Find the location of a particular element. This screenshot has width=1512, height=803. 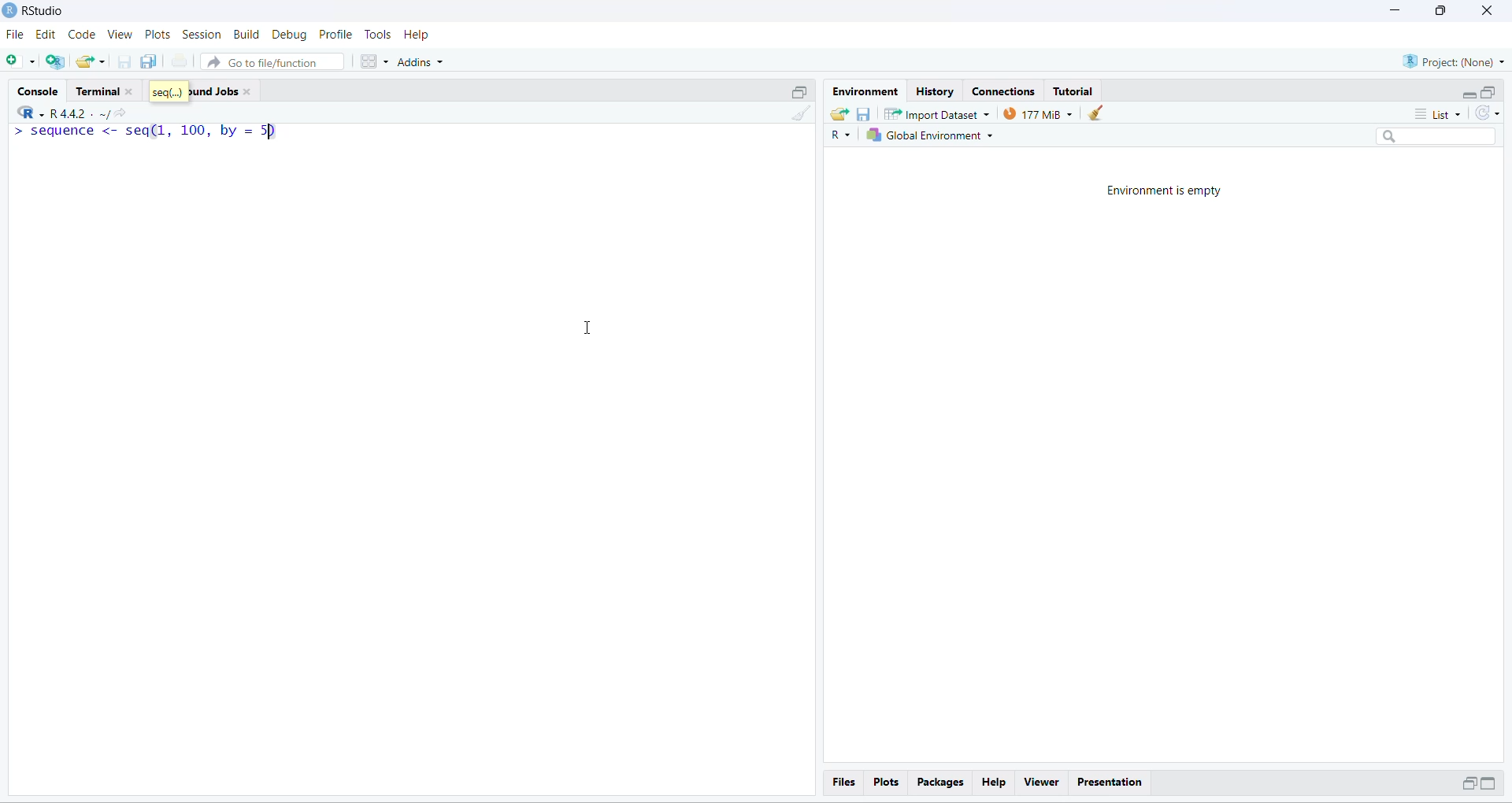

share folder is located at coordinates (839, 115).